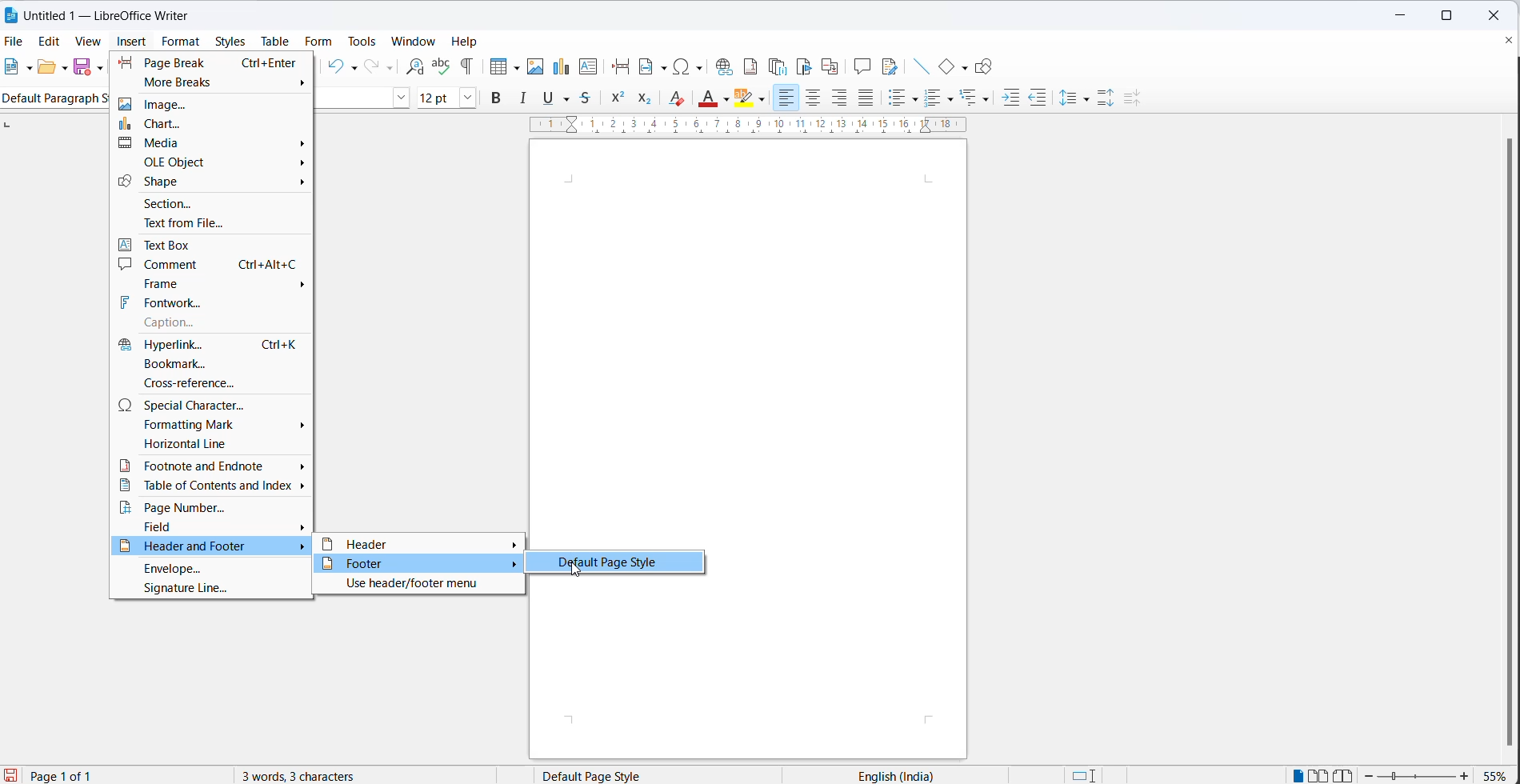 This screenshot has width=1520, height=784. Describe the element at coordinates (1401, 16) in the screenshot. I see `minimize` at that location.